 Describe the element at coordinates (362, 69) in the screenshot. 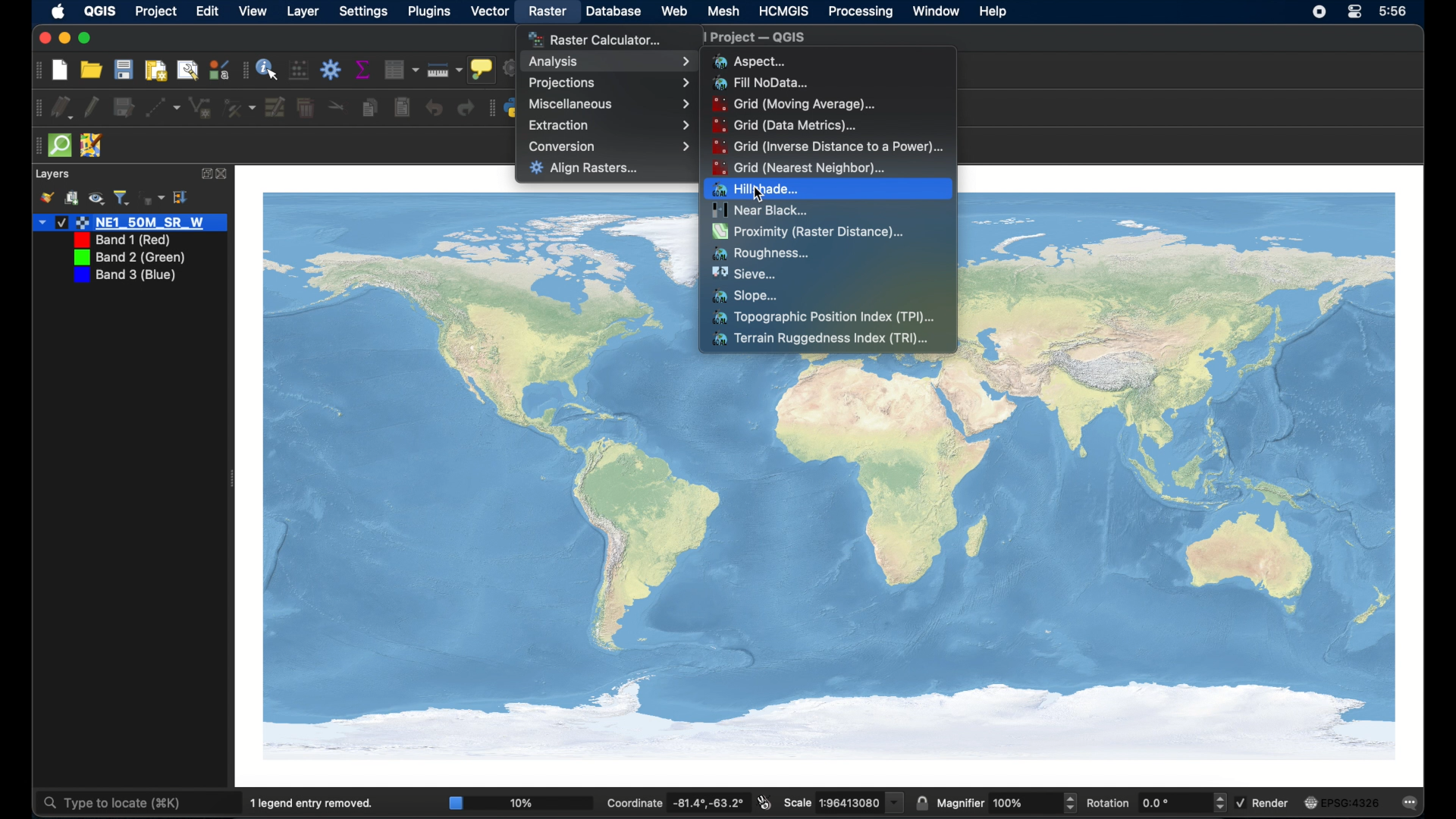

I see `show statistical summary` at that location.